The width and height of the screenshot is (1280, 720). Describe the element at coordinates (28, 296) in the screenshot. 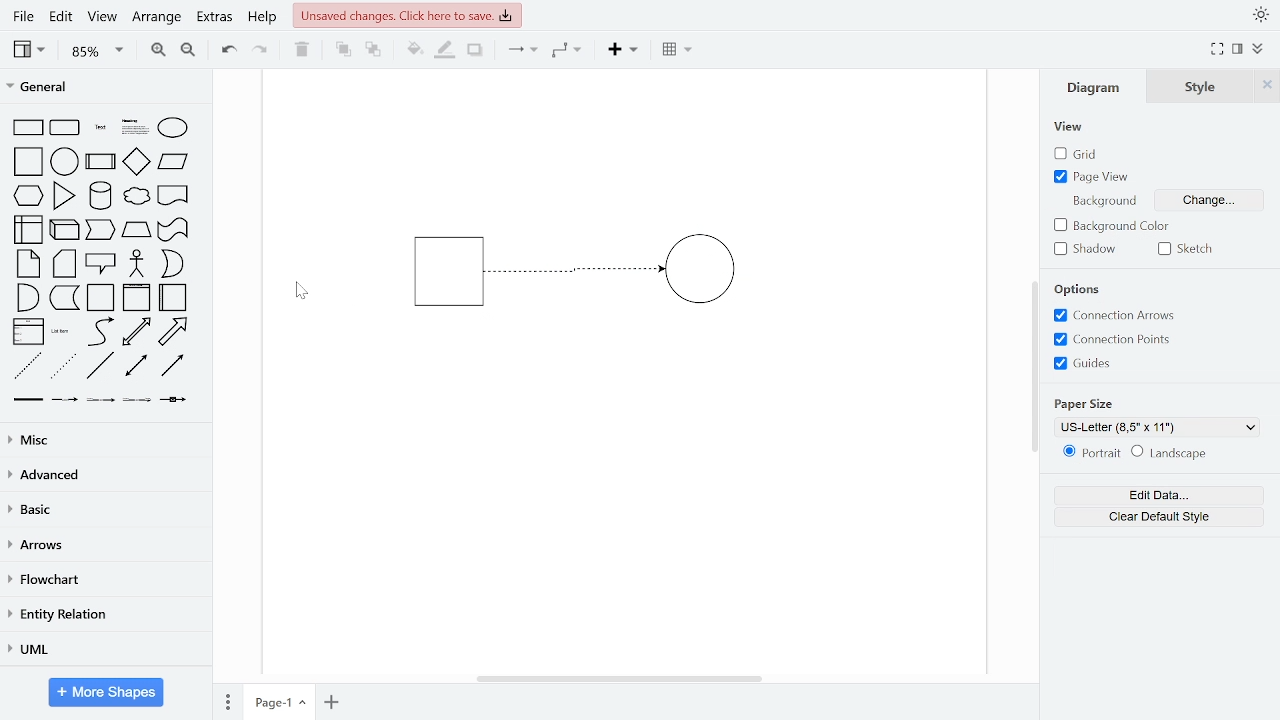

I see `and` at that location.